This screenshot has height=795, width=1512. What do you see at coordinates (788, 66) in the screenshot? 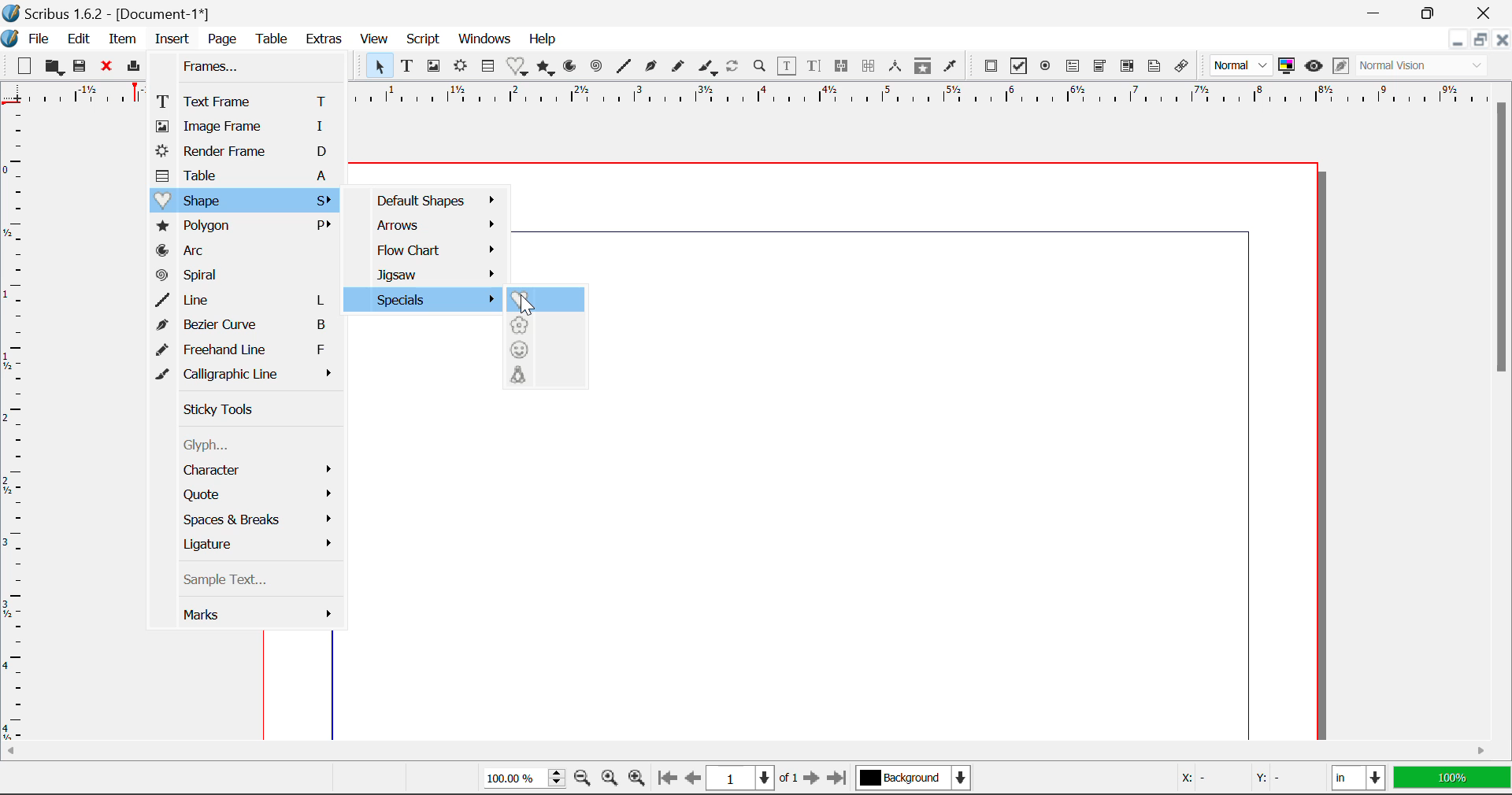
I see `Edit Contents in Frame` at bounding box center [788, 66].